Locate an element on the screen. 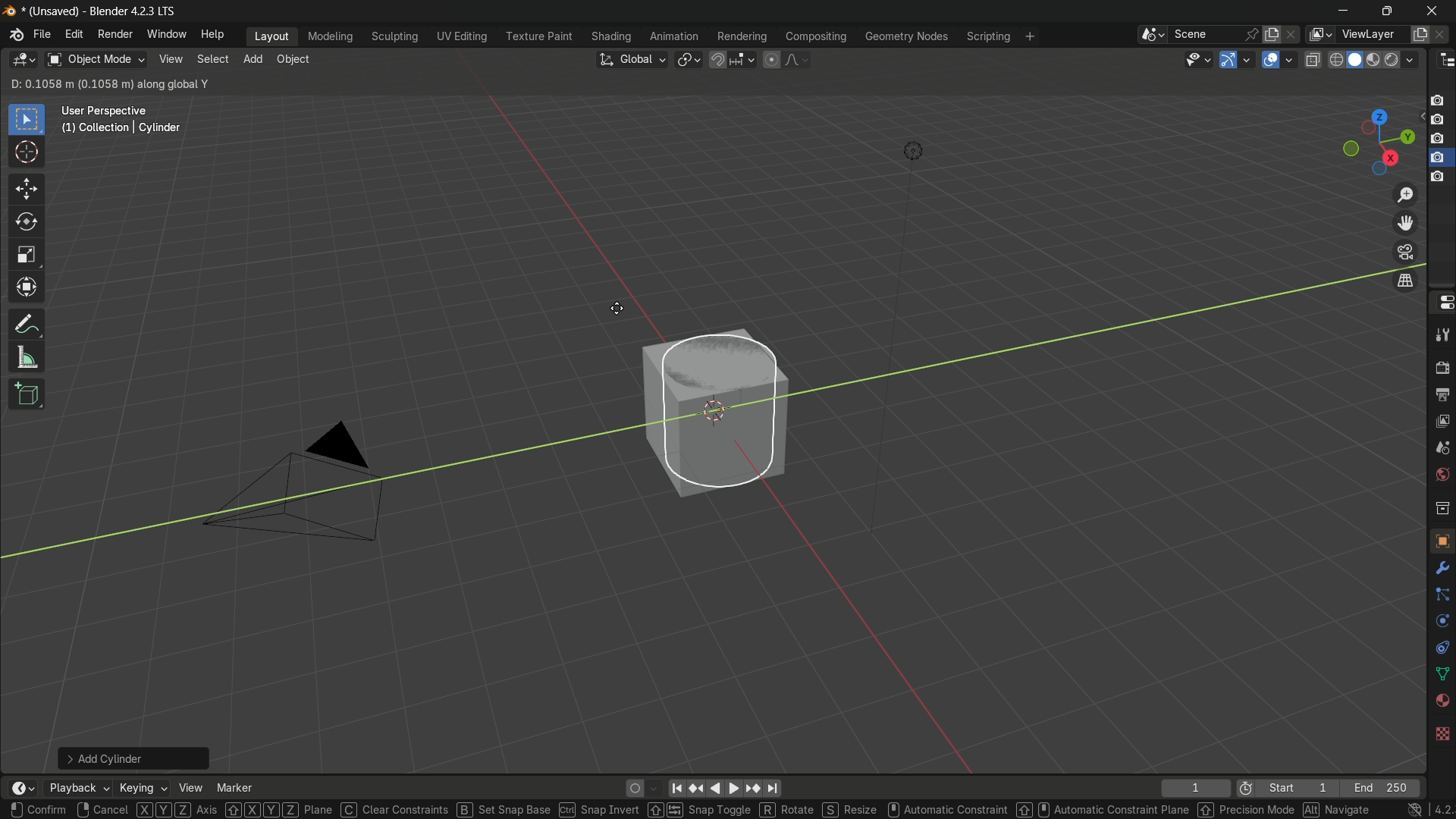 The image size is (1456, 819). back is located at coordinates (714, 789).